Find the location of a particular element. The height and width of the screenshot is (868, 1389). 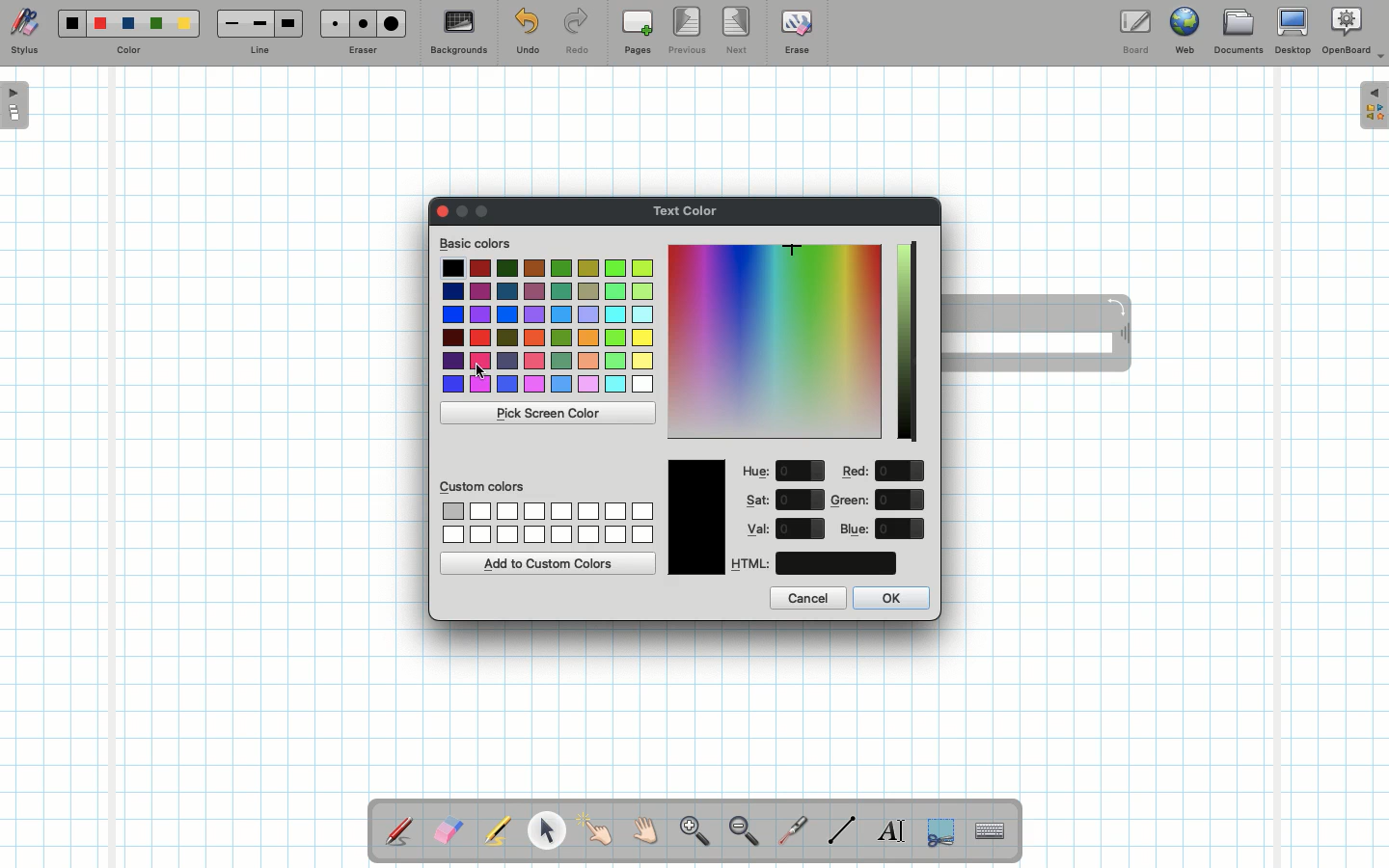

Text input is located at coordinates (991, 826).